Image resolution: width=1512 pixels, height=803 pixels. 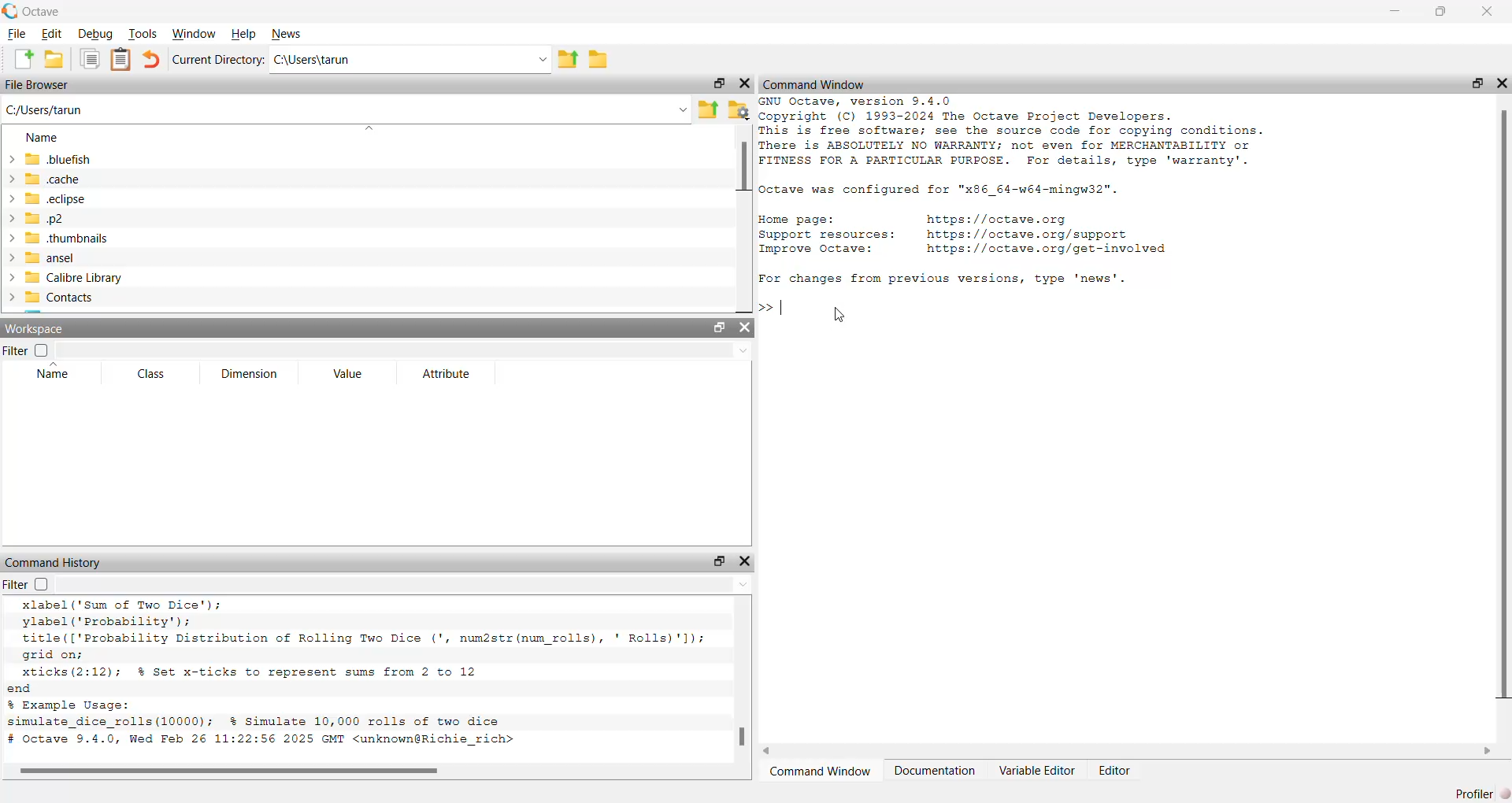 What do you see at coordinates (48, 159) in the screenshot?
I see `Bluefish` at bounding box center [48, 159].